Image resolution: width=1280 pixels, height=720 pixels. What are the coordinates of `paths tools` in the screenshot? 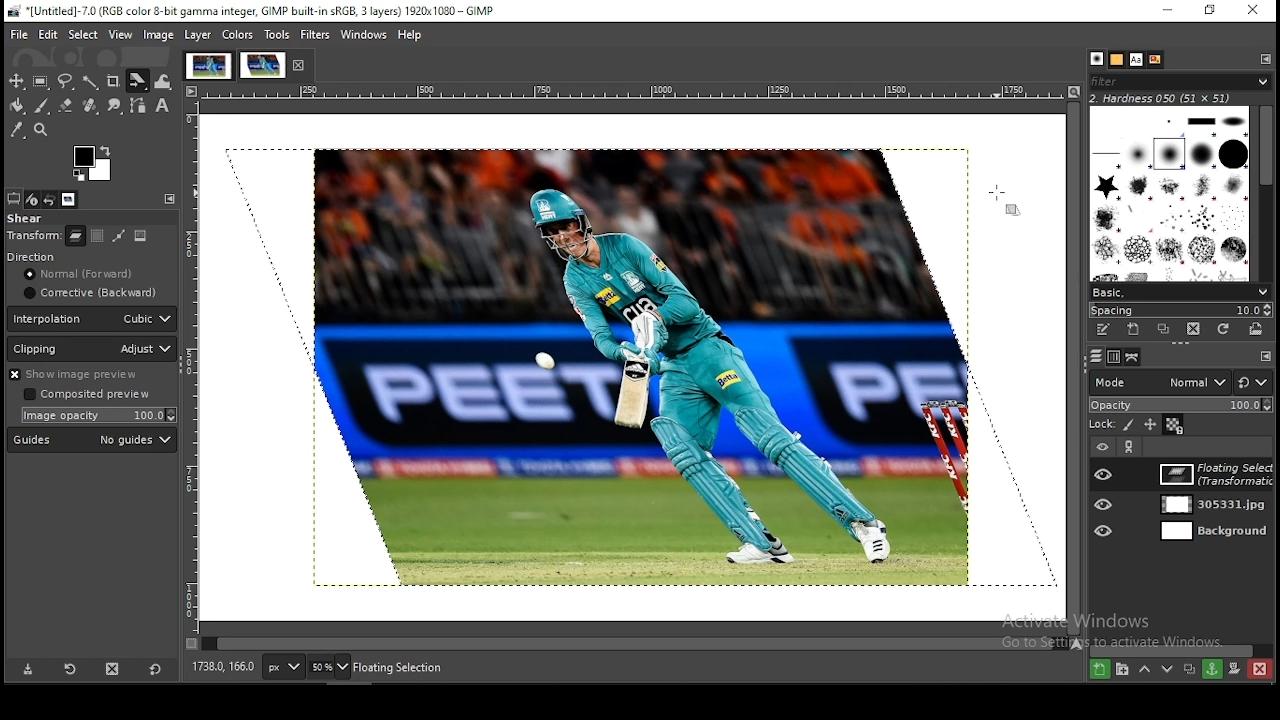 It's located at (138, 105).